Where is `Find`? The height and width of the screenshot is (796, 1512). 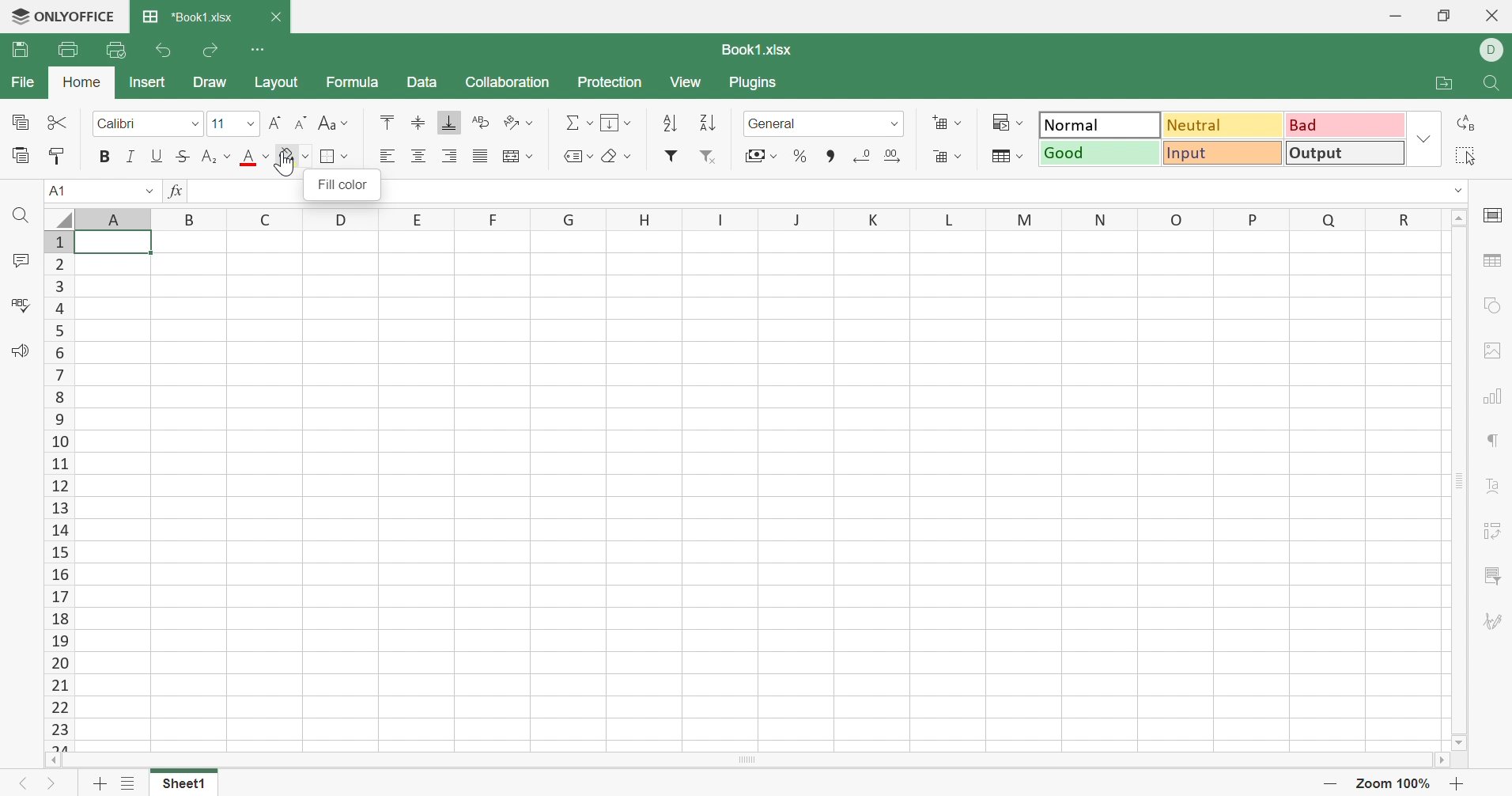
Find is located at coordinates (1495, 84).